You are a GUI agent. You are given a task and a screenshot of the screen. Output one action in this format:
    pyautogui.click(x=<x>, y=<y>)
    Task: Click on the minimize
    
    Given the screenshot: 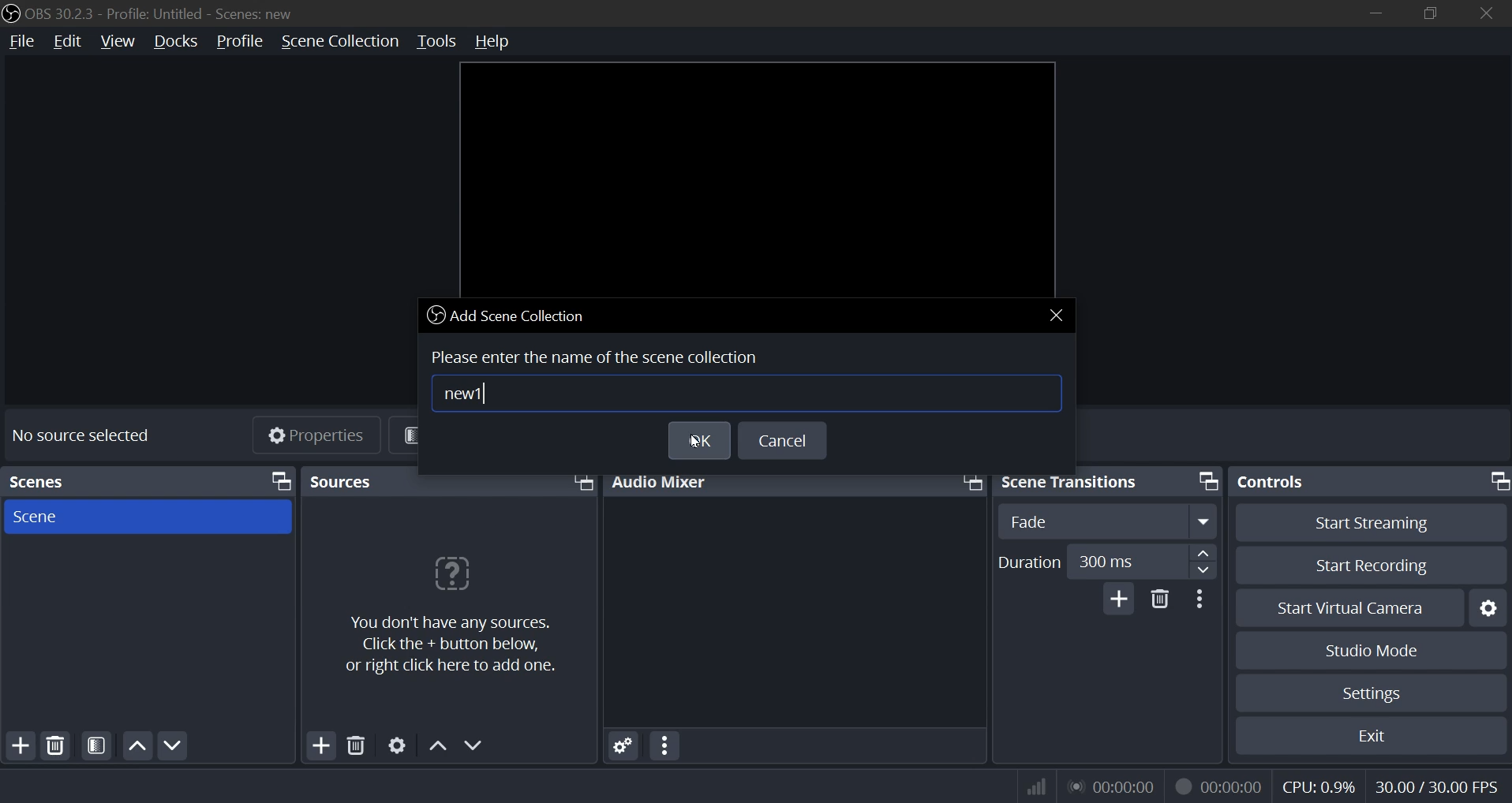 What is the action you would take?
    pyautogui.click(x=1376, y=11)
    